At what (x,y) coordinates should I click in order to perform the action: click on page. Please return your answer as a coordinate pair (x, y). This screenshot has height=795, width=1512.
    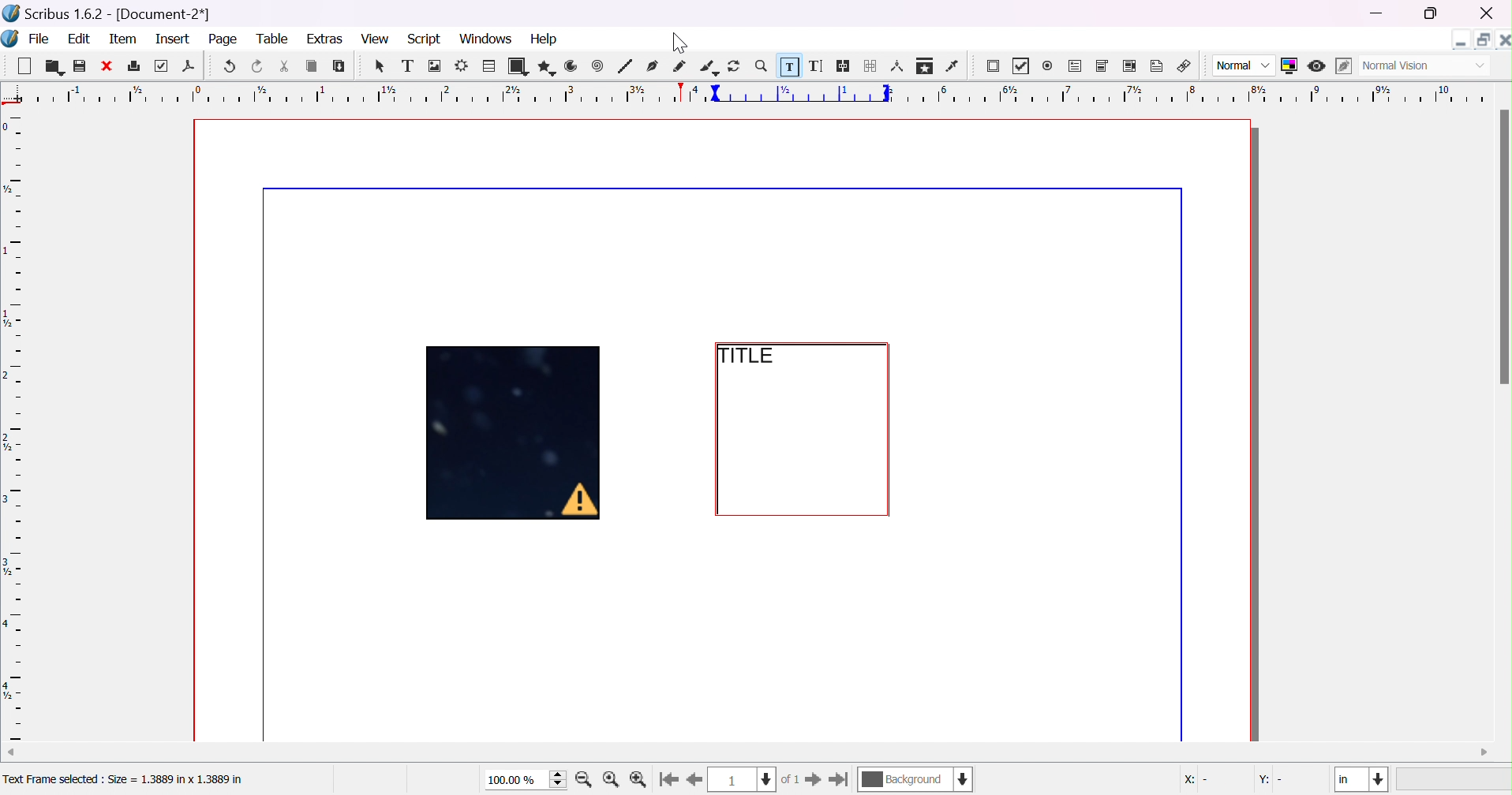
    Looking at the image, I should click on (226, 40).